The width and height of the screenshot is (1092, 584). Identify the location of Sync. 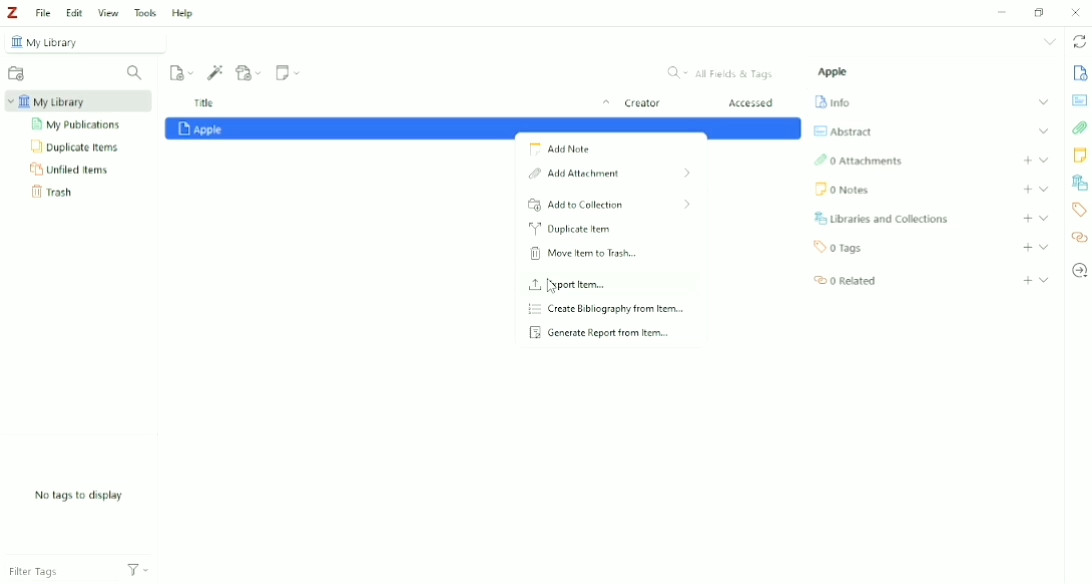
(1078, 42).